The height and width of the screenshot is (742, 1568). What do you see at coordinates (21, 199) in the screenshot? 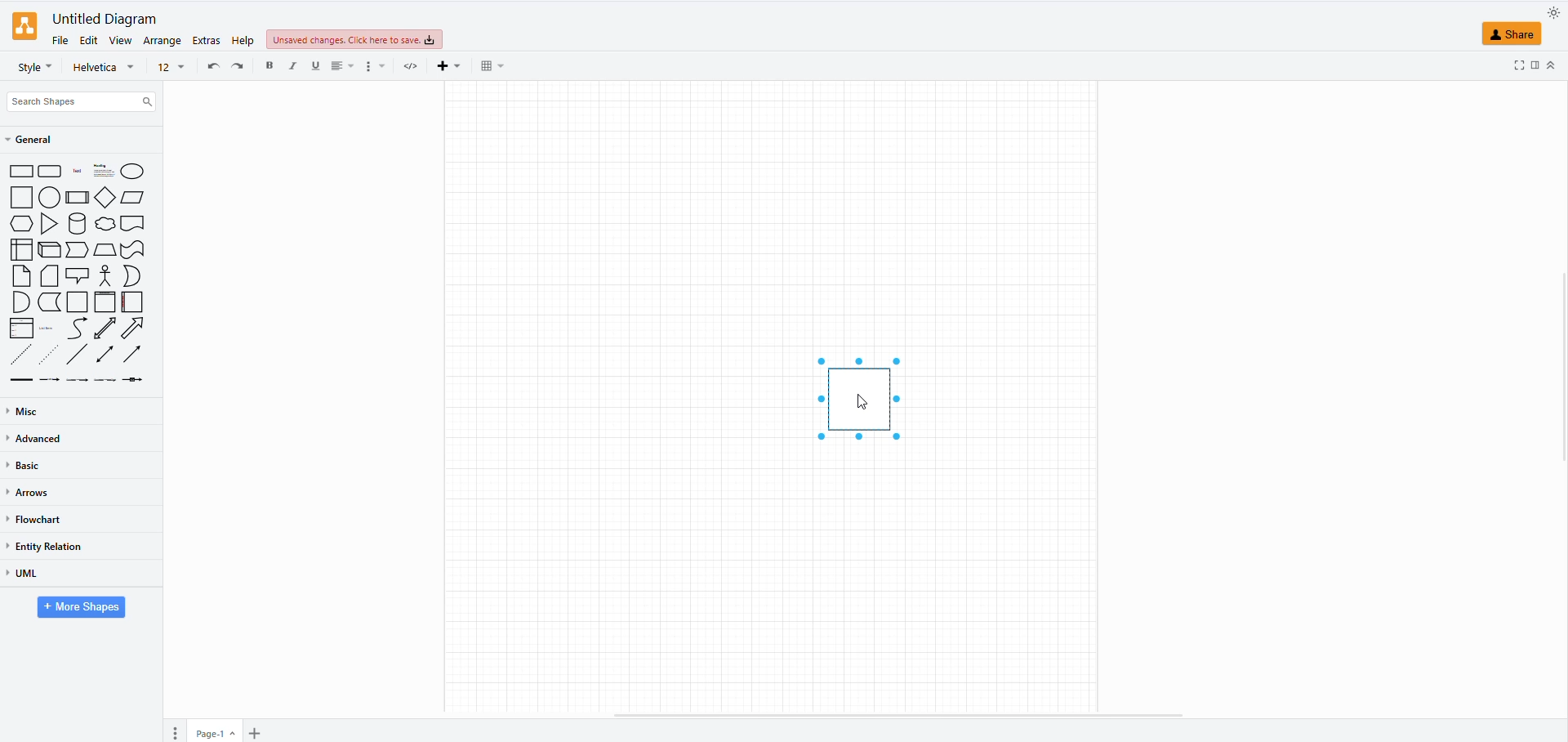
I see `square` at bounding box center [21, 199].